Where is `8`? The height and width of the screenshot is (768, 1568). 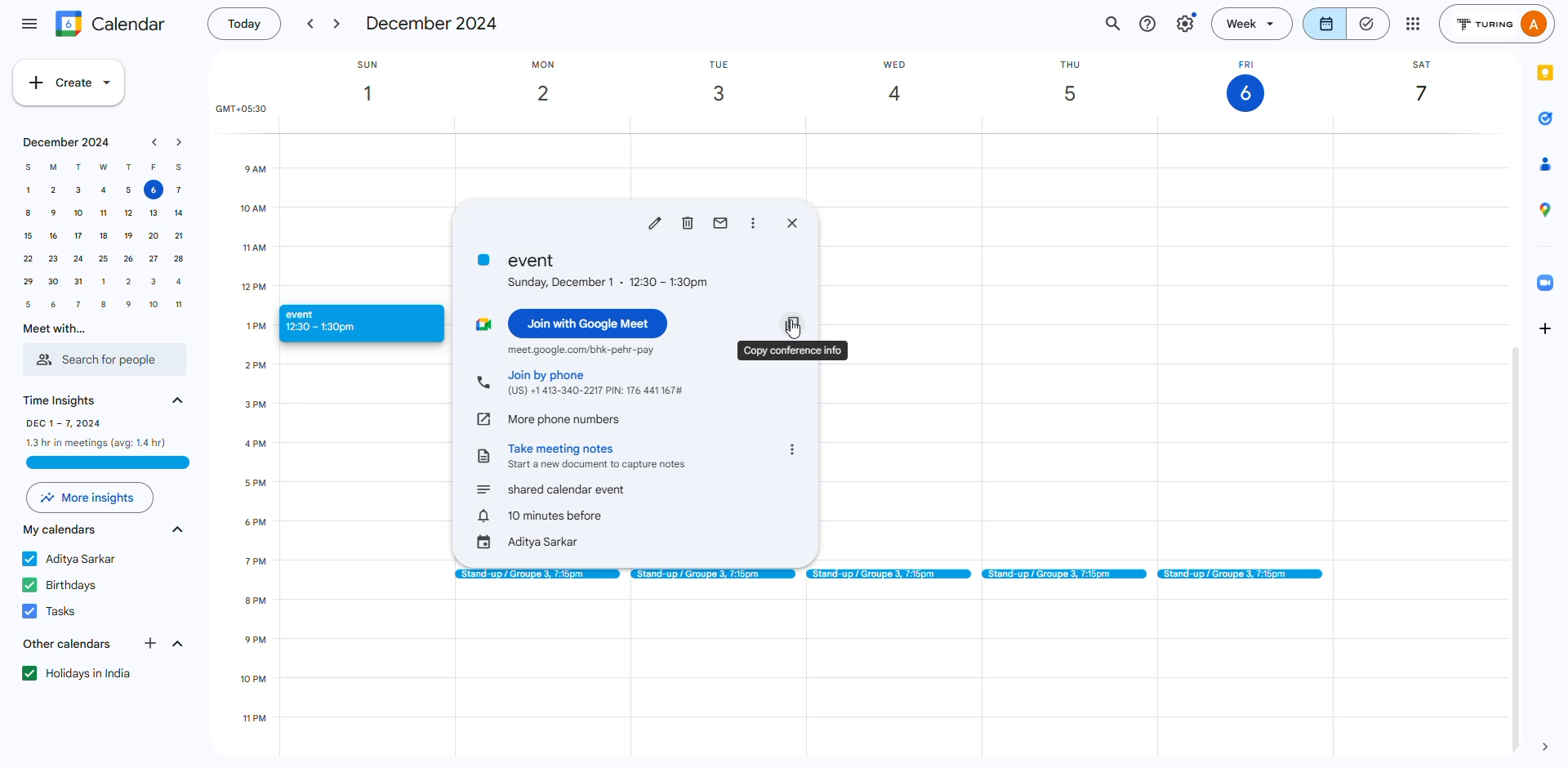
8 is located at coordinates (103, 304).